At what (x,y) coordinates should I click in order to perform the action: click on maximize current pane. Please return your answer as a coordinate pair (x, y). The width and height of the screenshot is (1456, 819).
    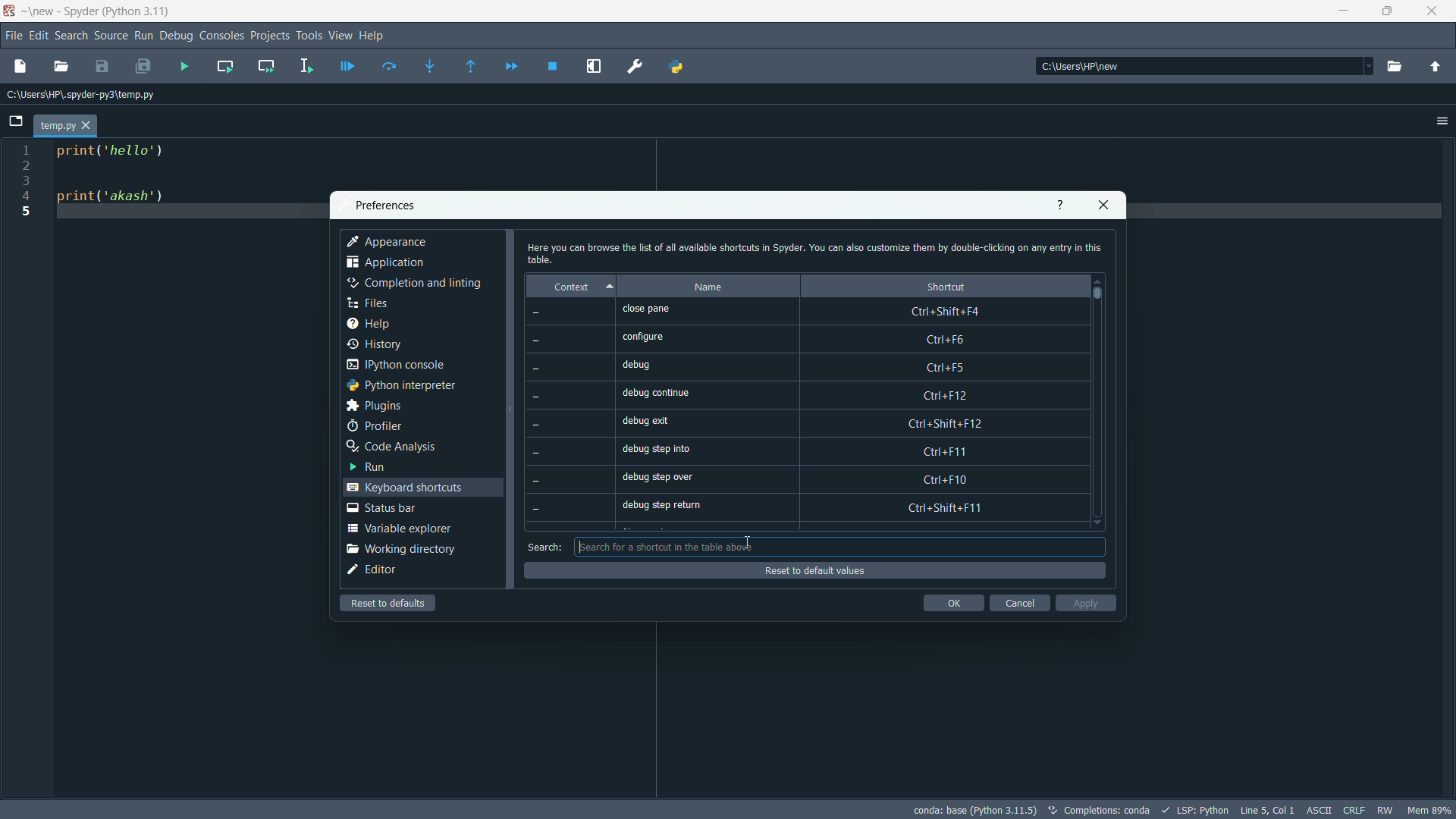
    Looking at the image, I should click on (598, 67).